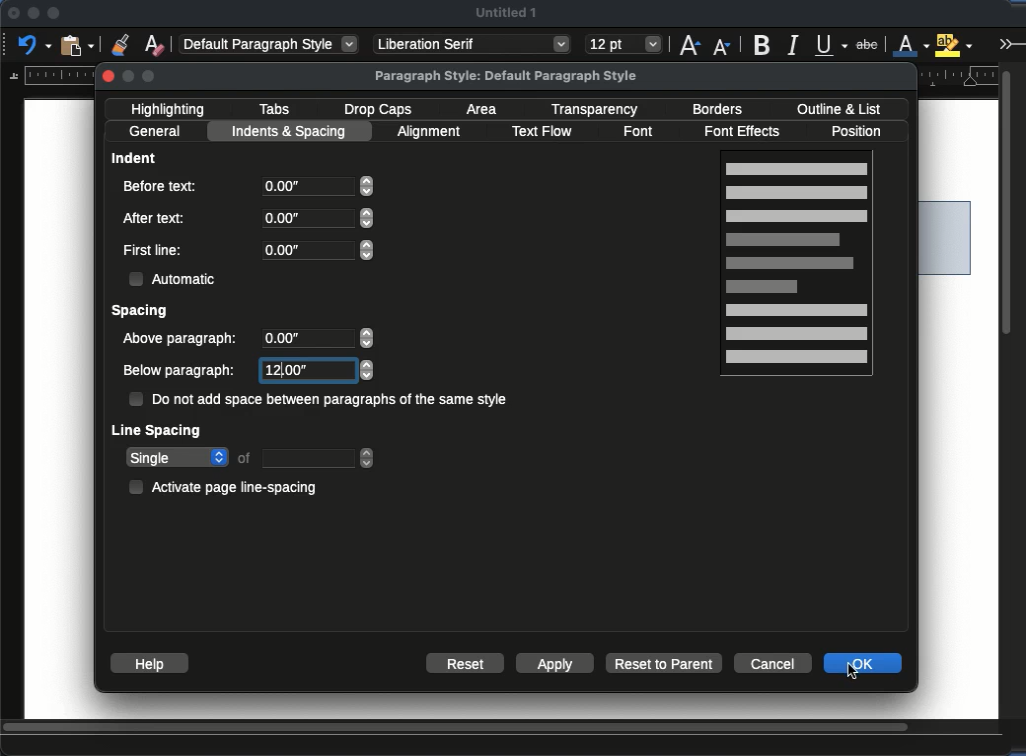 The height and width of the screenshot is (756, 1026). Describe the element at coordinates (832, 45) in the screenshot. I see `underline ` at that location.